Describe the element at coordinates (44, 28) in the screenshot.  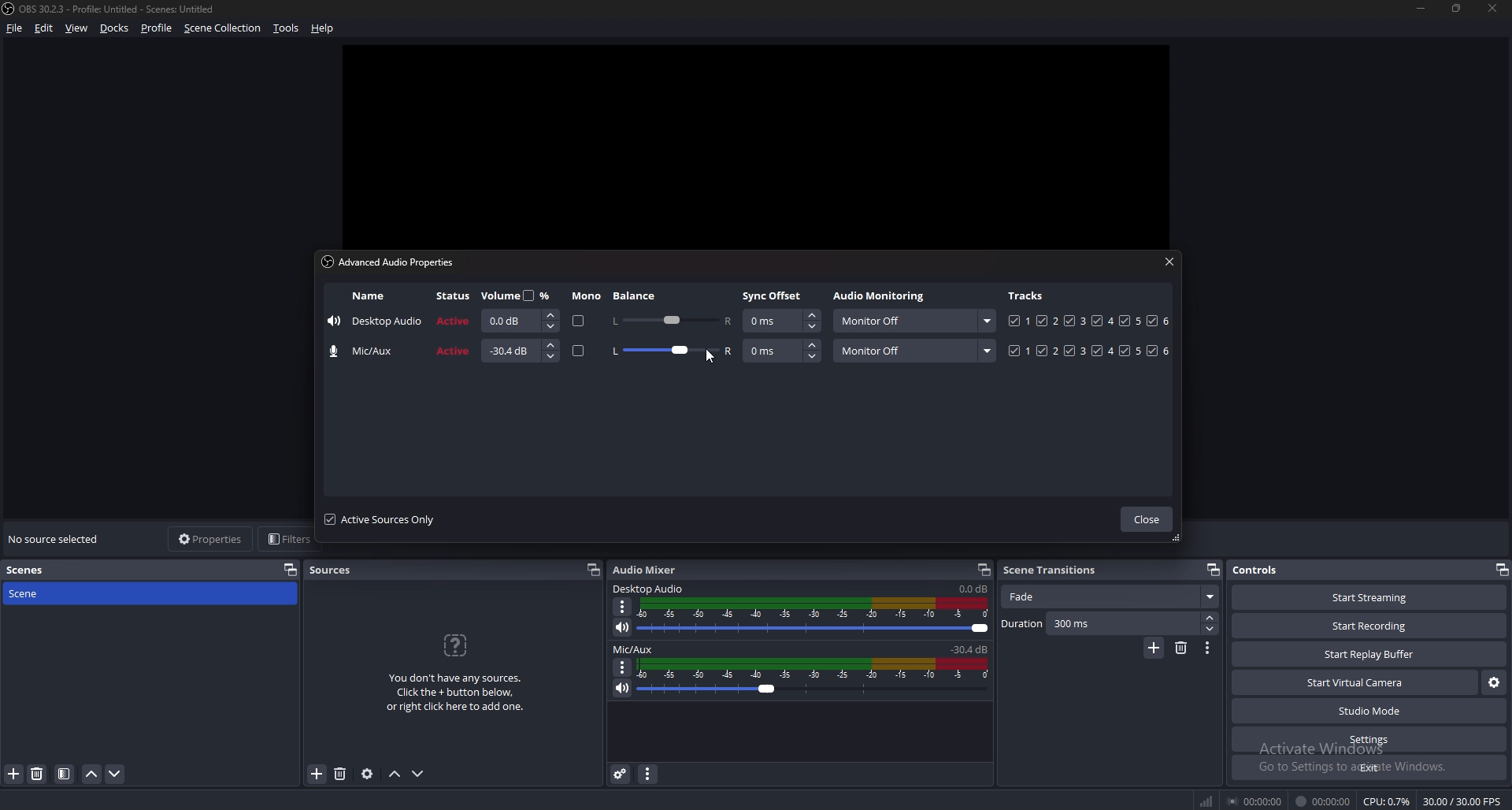
I see `edit` at that location.